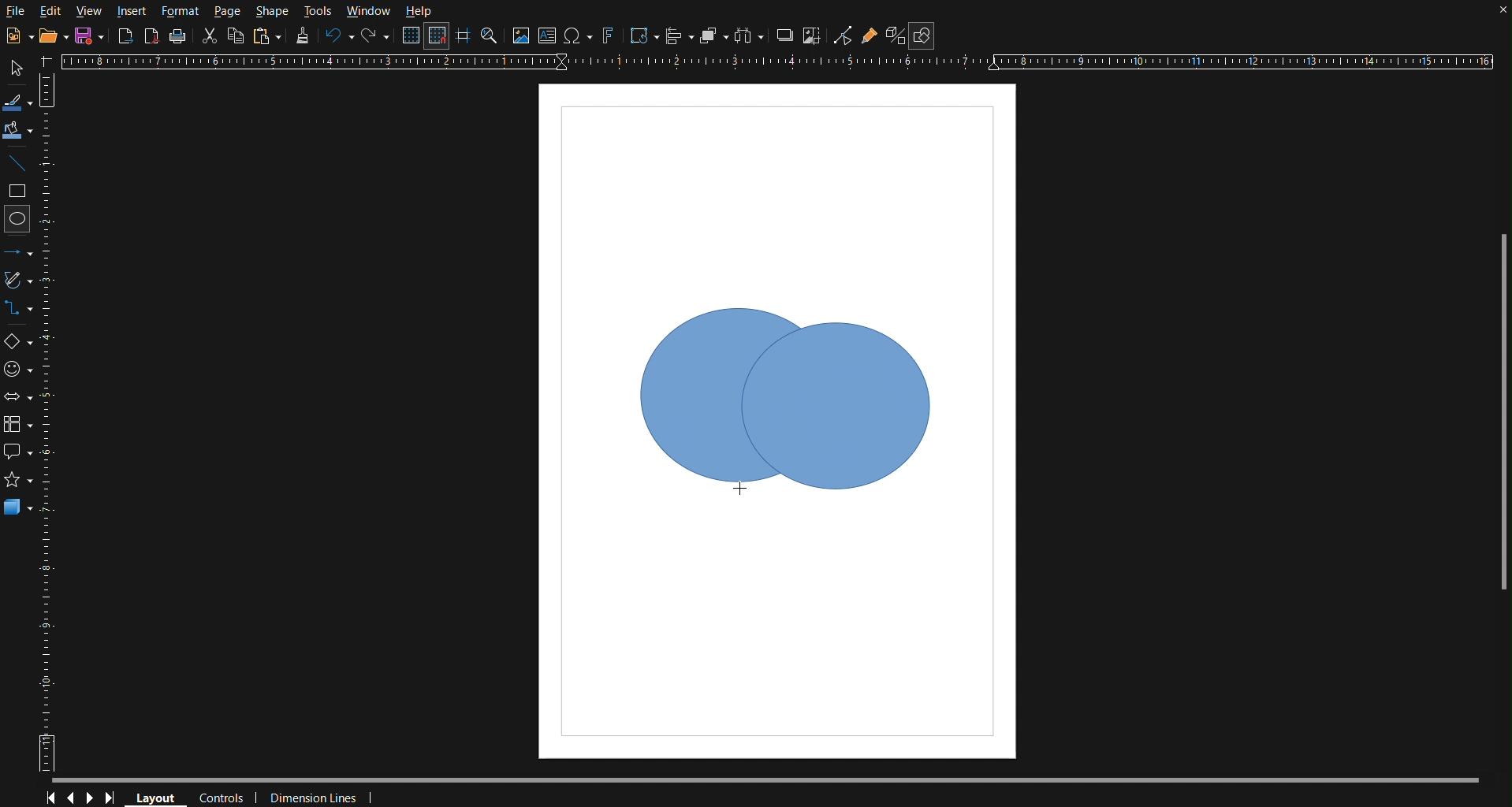 The width and height of the screenshot is (1512, 807). Describe the element at coordinates (785, 36) in the screenshot. I see `Shadow` at that location.